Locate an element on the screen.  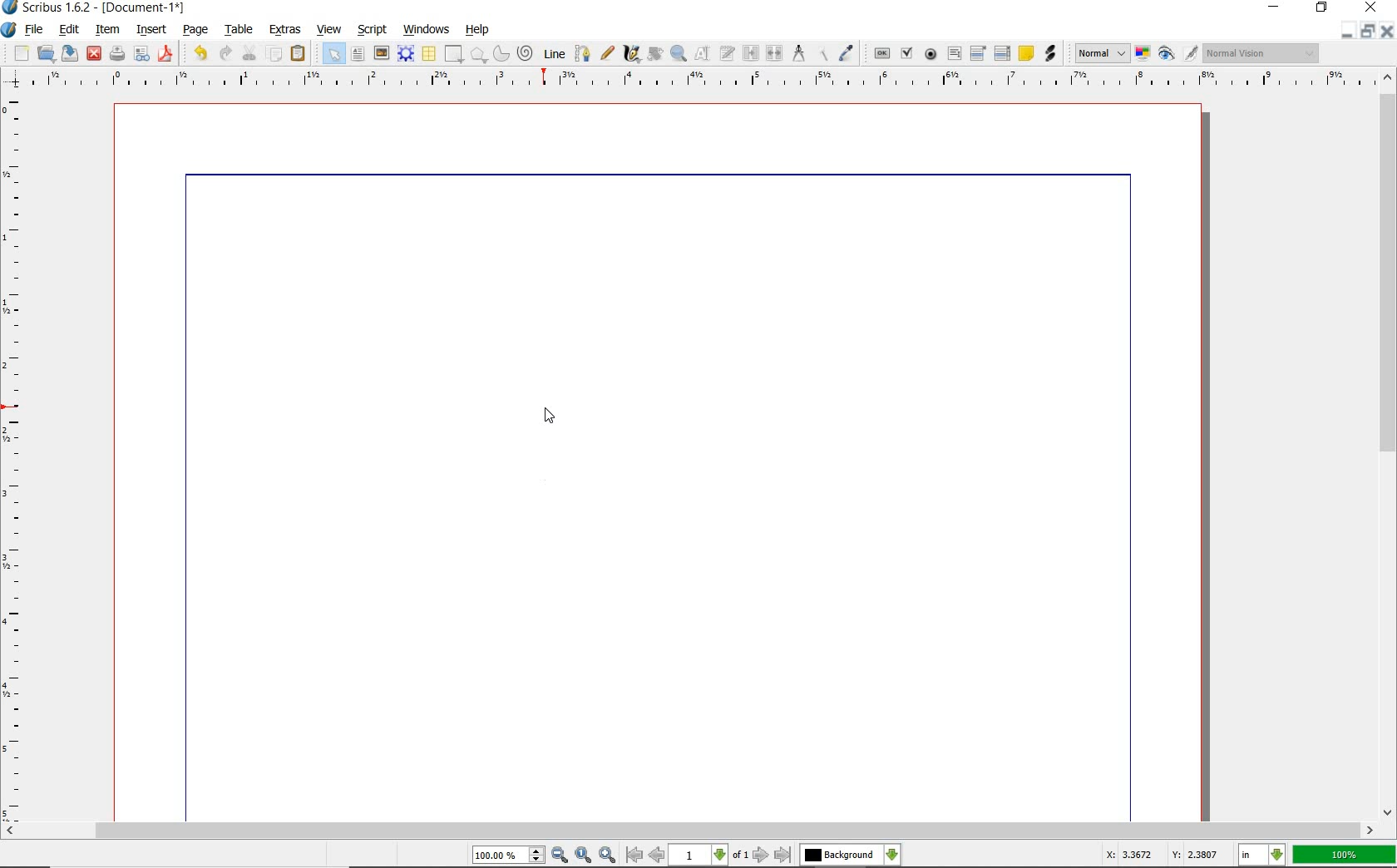
page is located at coordinates (196, 30).